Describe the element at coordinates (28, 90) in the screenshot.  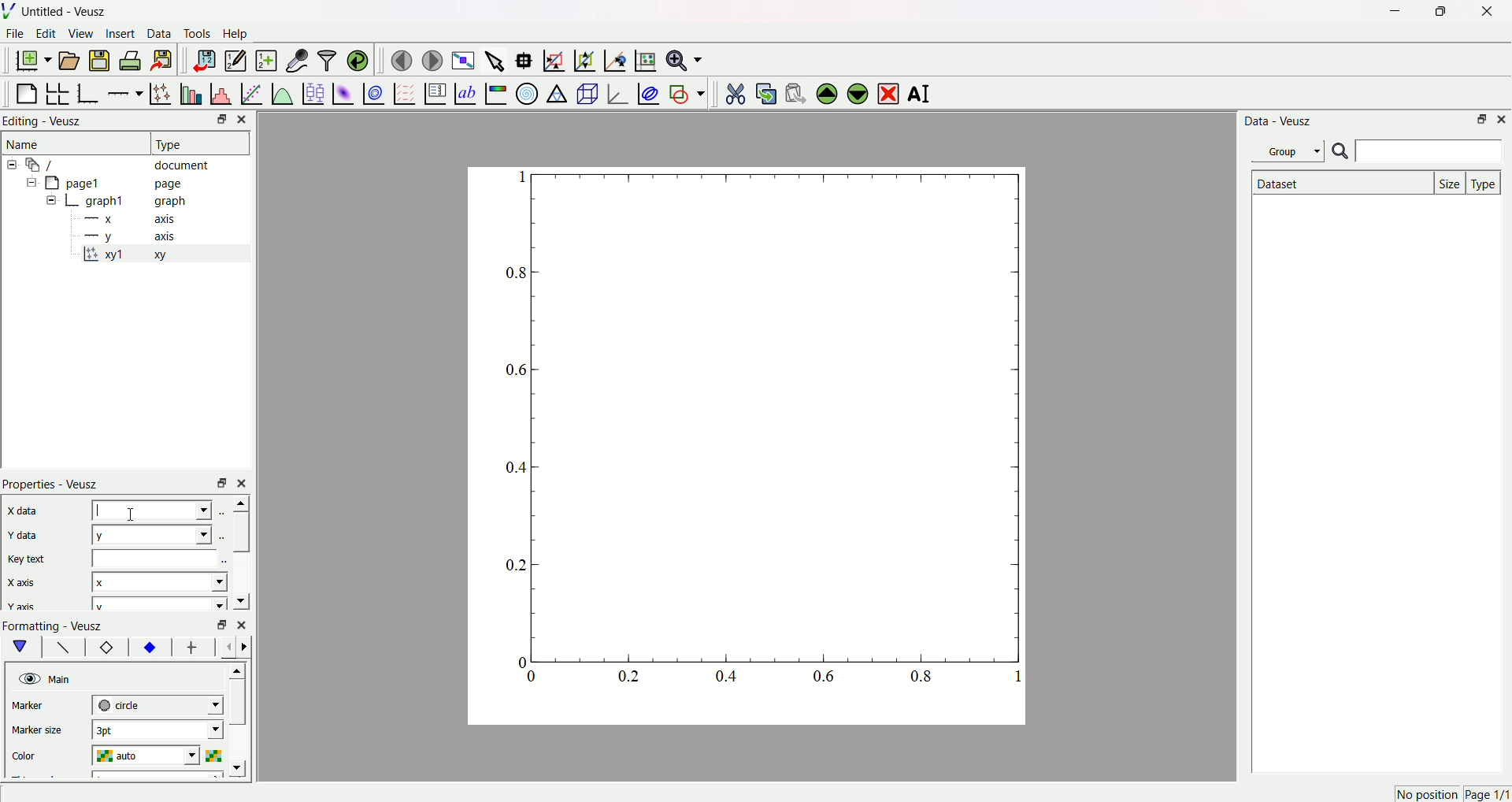
I see `blank page` at that location.